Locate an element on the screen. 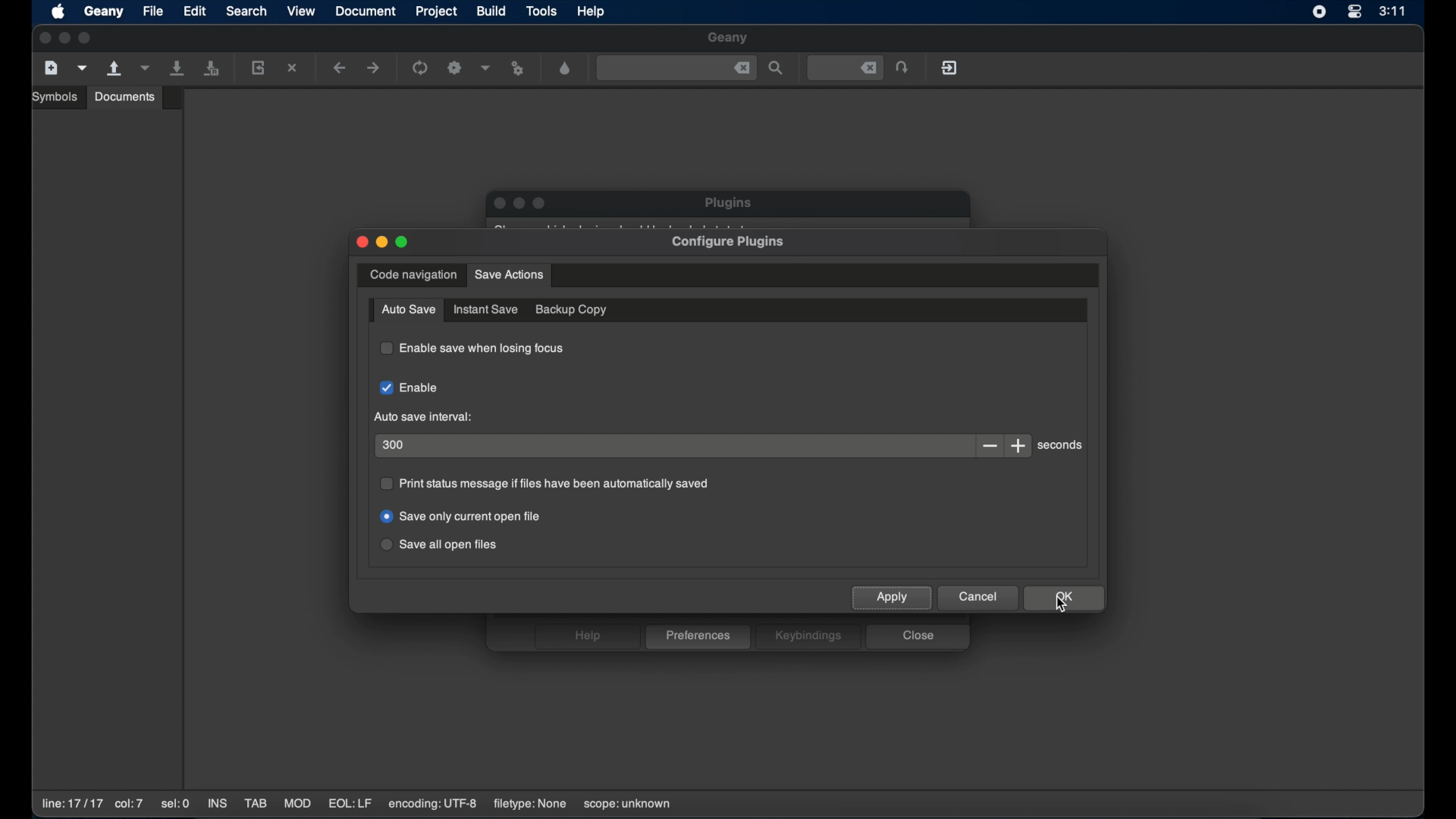 Image resolution: width=1456 pixels, height=819 pixels. keybindings is located at coordinates (808, 636).